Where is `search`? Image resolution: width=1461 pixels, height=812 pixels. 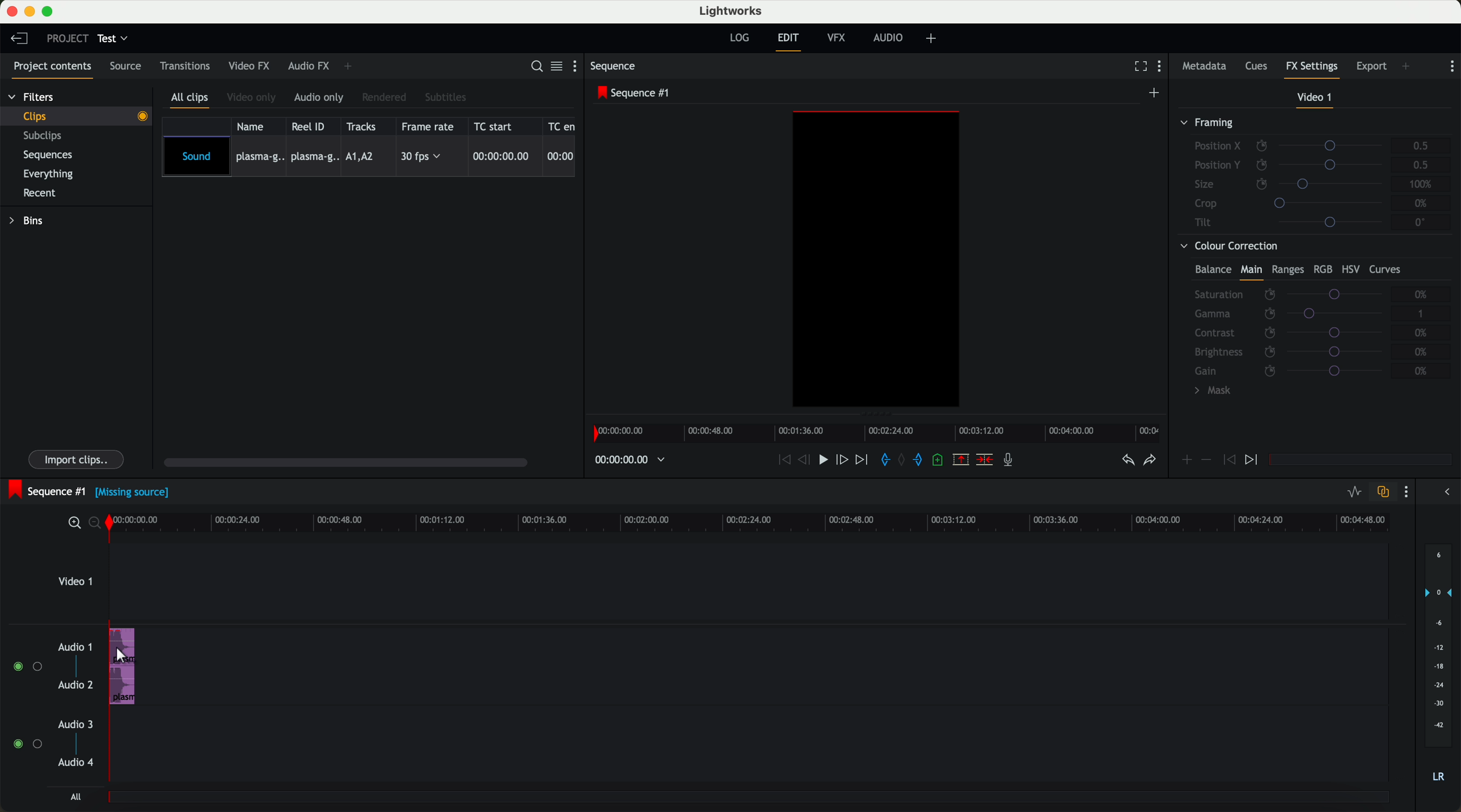
search is located at coordinates (535, 67).